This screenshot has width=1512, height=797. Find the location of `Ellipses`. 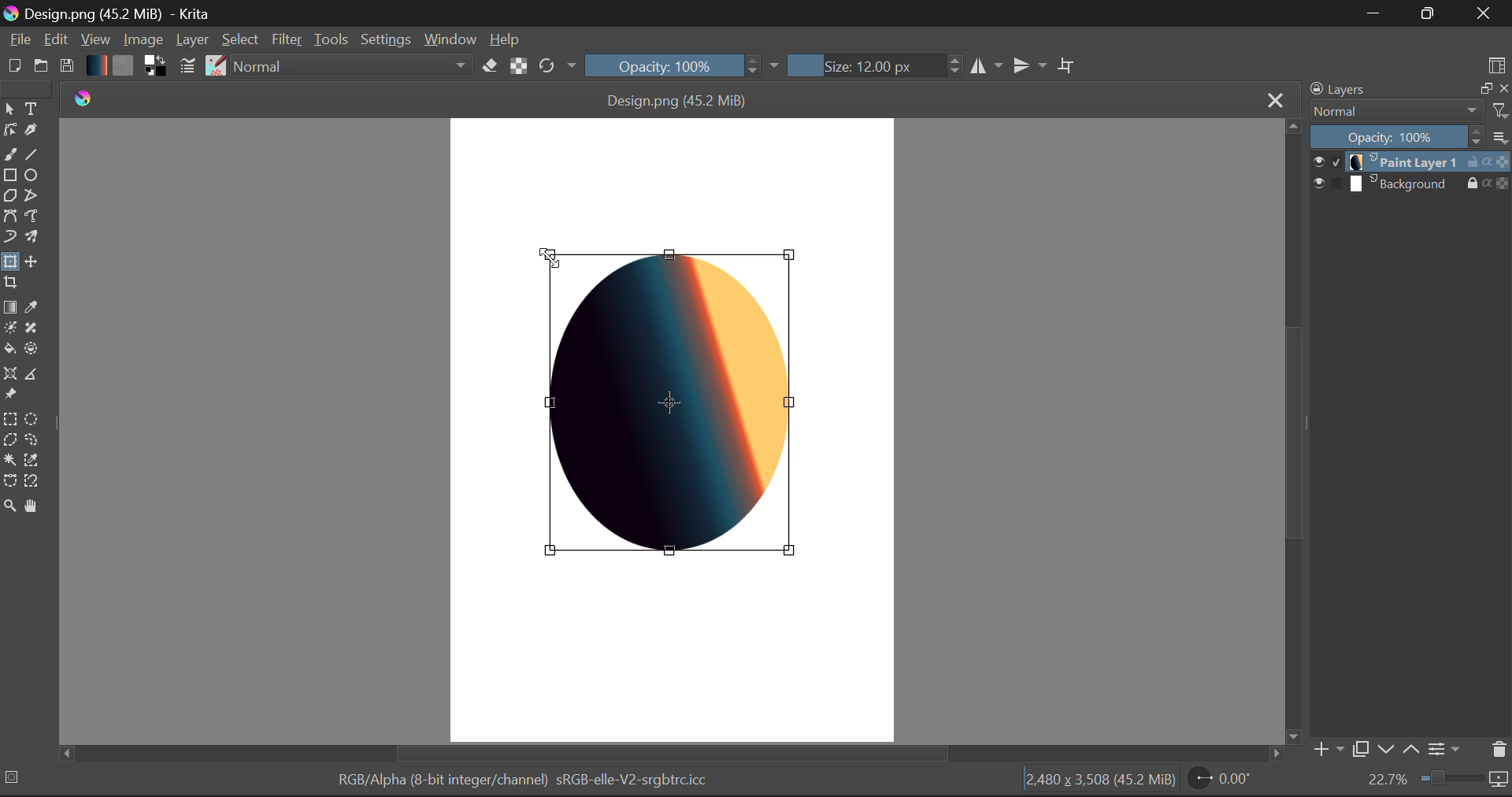

Ellipses is located at coordinates (32, 176).